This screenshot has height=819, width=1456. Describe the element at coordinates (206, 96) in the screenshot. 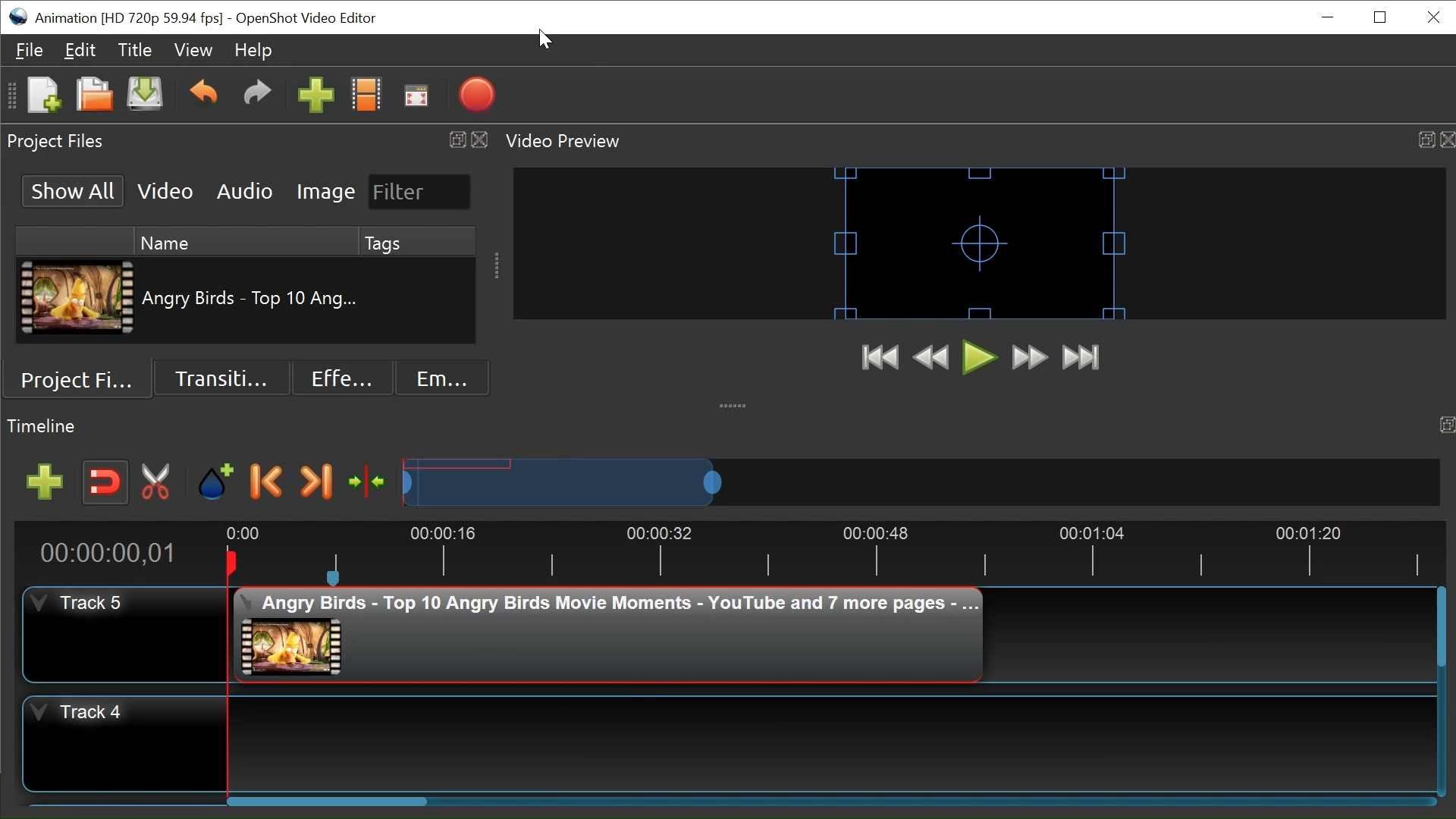

I see `Undo` at that location.